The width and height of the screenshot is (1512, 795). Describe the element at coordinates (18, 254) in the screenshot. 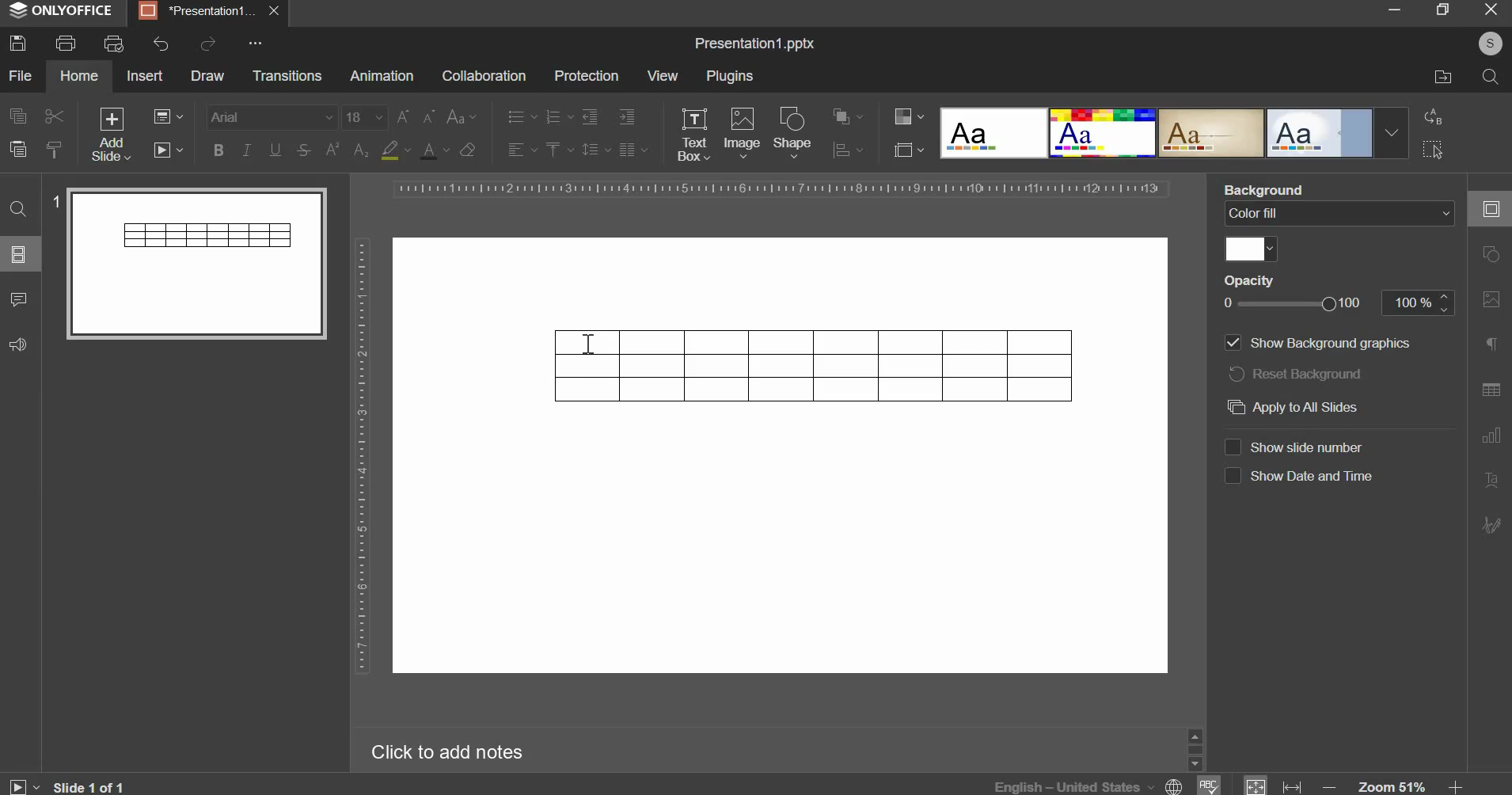

I see `slide menu` at that location.